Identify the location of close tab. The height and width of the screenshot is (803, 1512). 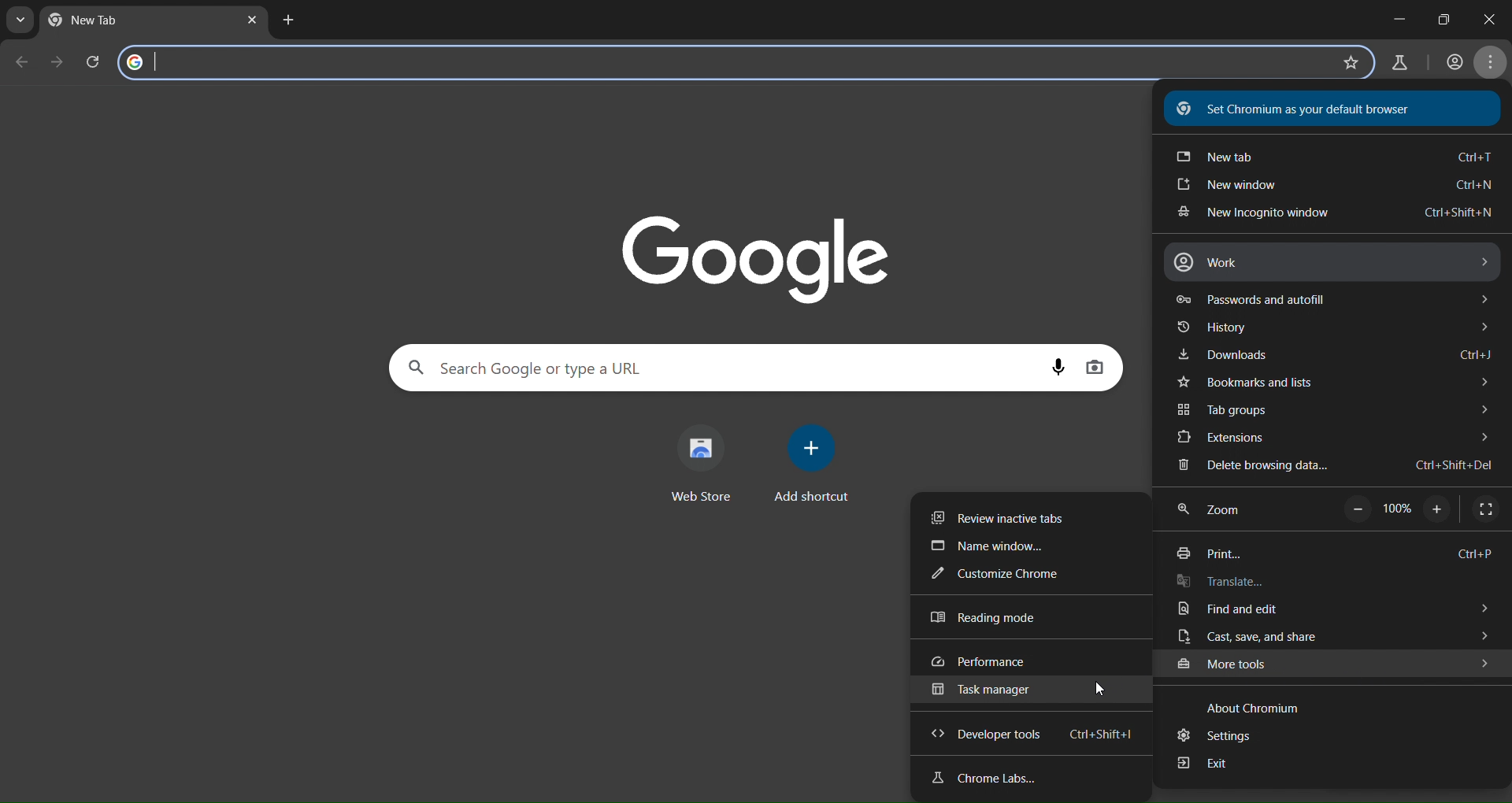
(253, 21).